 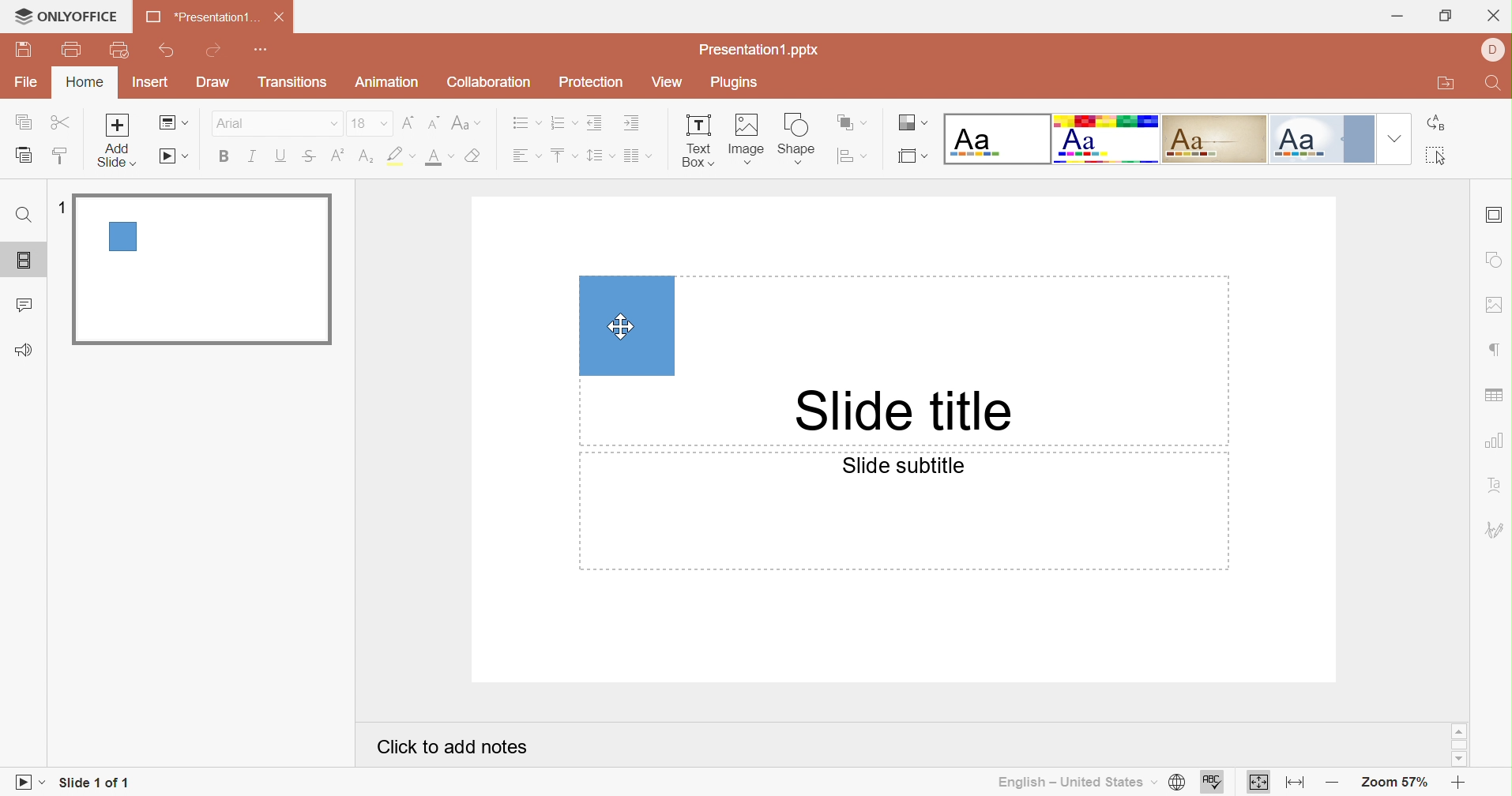 What do you see at coordinates (1176, 783) in the screenshot?
I see `Set document langauge` at bounding box center [1176, 783].